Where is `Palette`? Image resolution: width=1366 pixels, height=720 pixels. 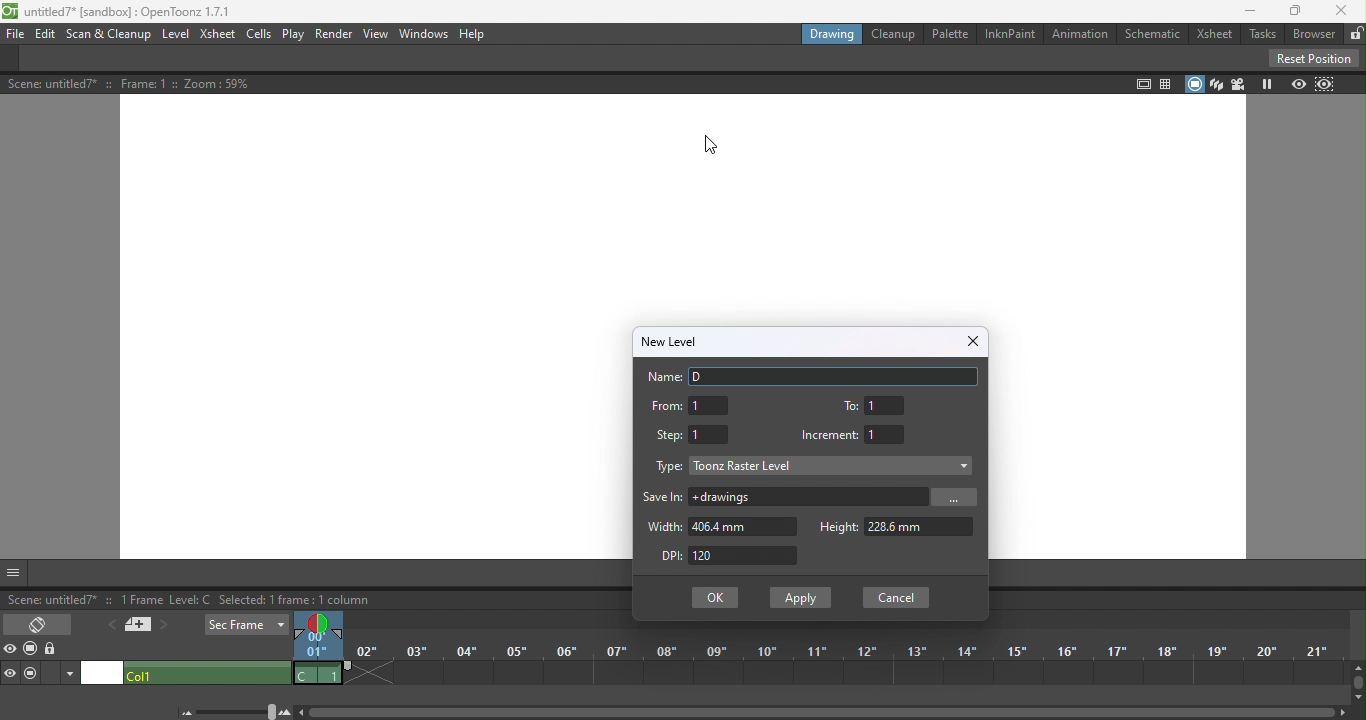
Palette is located at coordinates (951, 34).